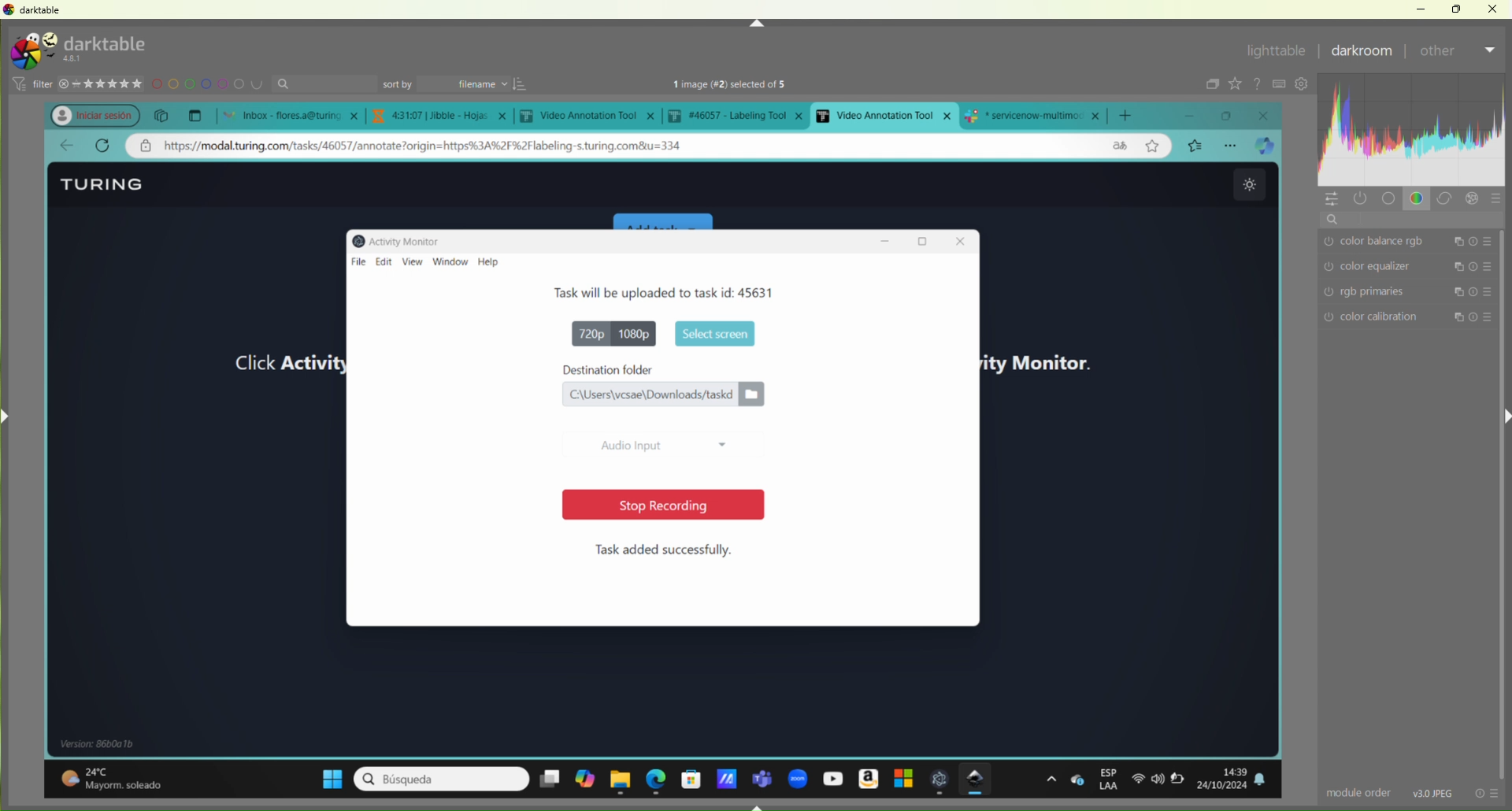 Image resolution: width=1512 pixels, height=811 pixels. What do you see at coordinates (1412, 319) in the screenshot?
I see `color calibration` at bounding box center [1412, 319].